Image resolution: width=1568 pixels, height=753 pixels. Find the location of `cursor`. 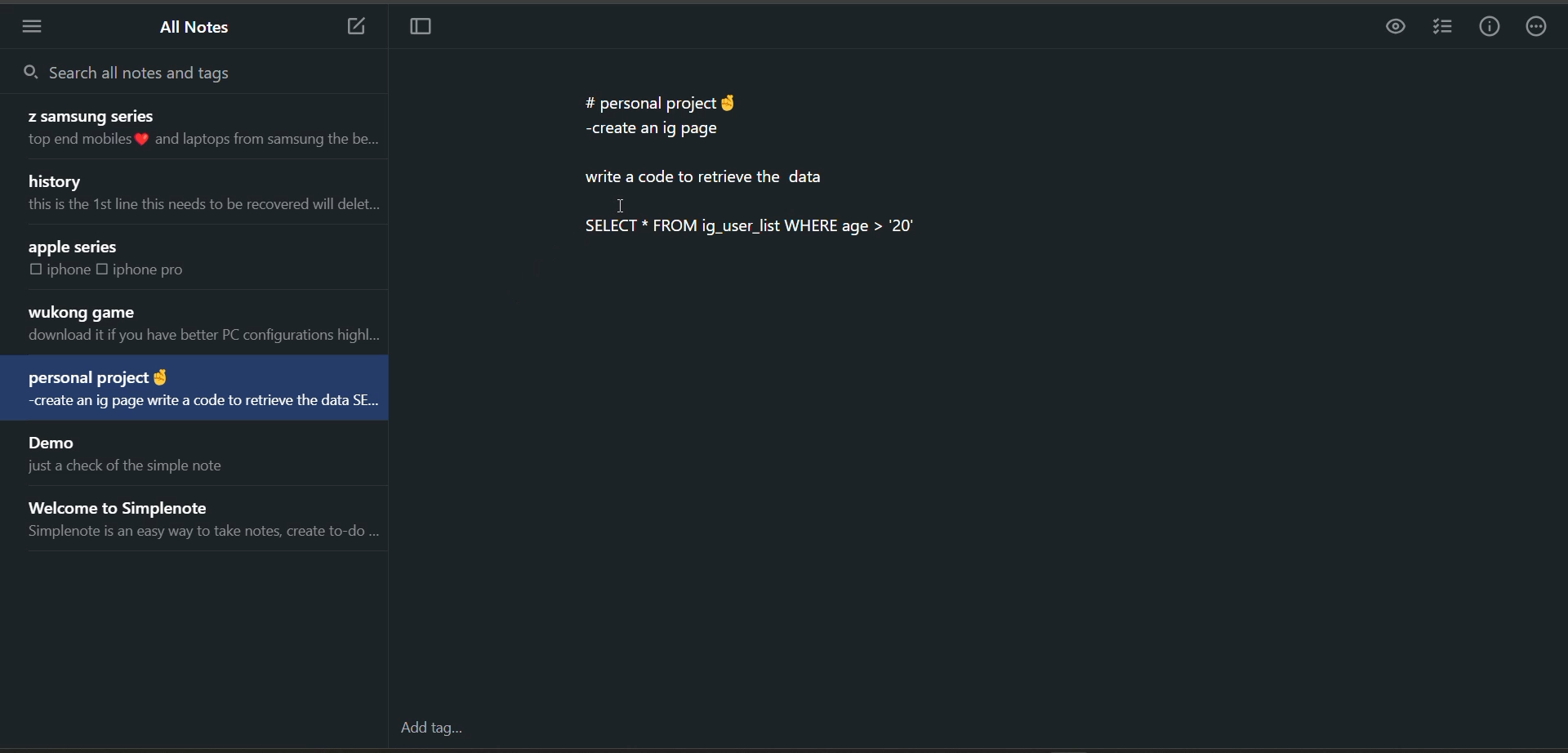

cursor is located at coordinates (621, 204).